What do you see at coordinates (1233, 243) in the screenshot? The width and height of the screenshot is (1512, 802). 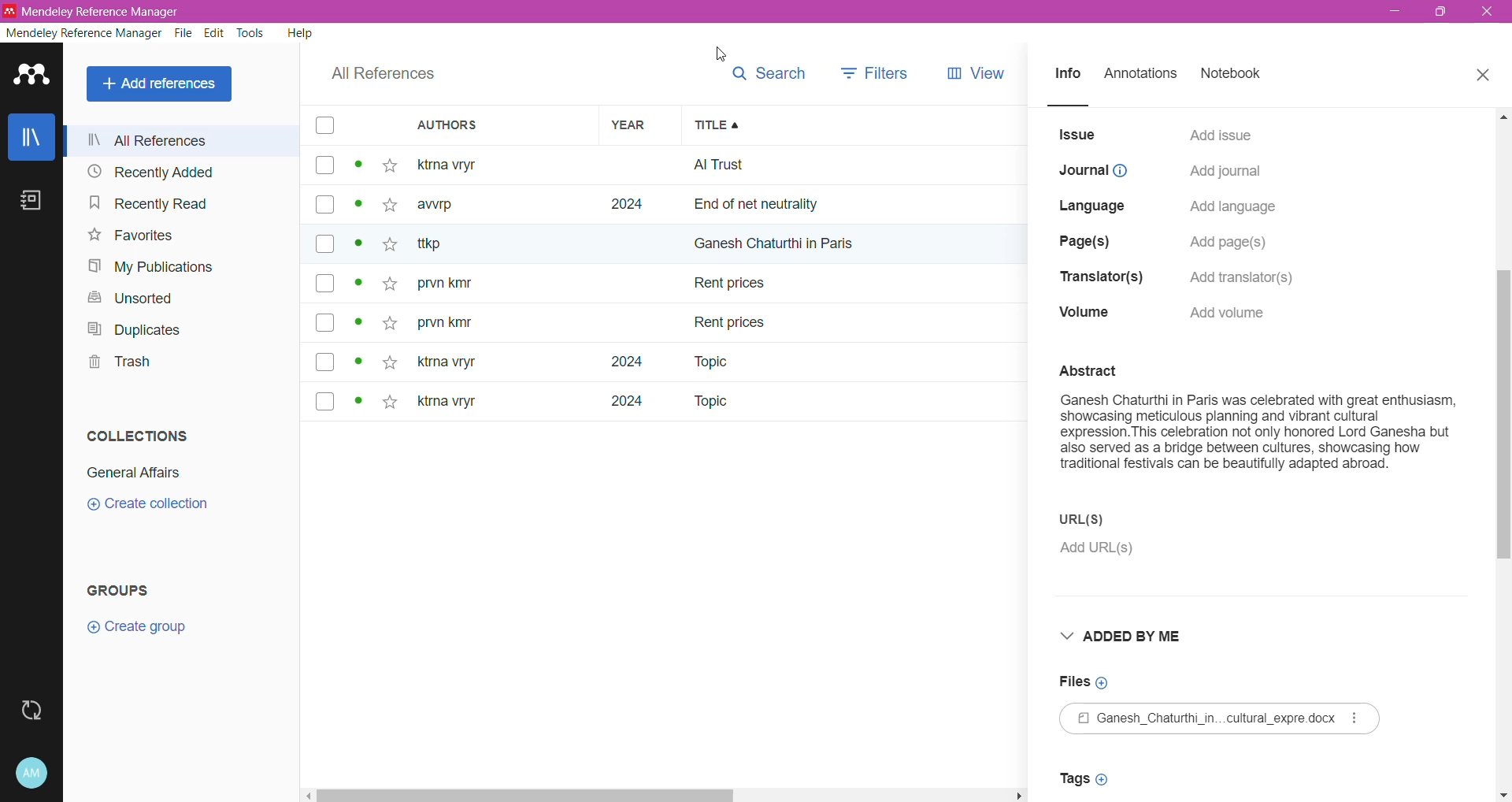 I see `Click to add number of pages` at bounding box center [1233, 243].